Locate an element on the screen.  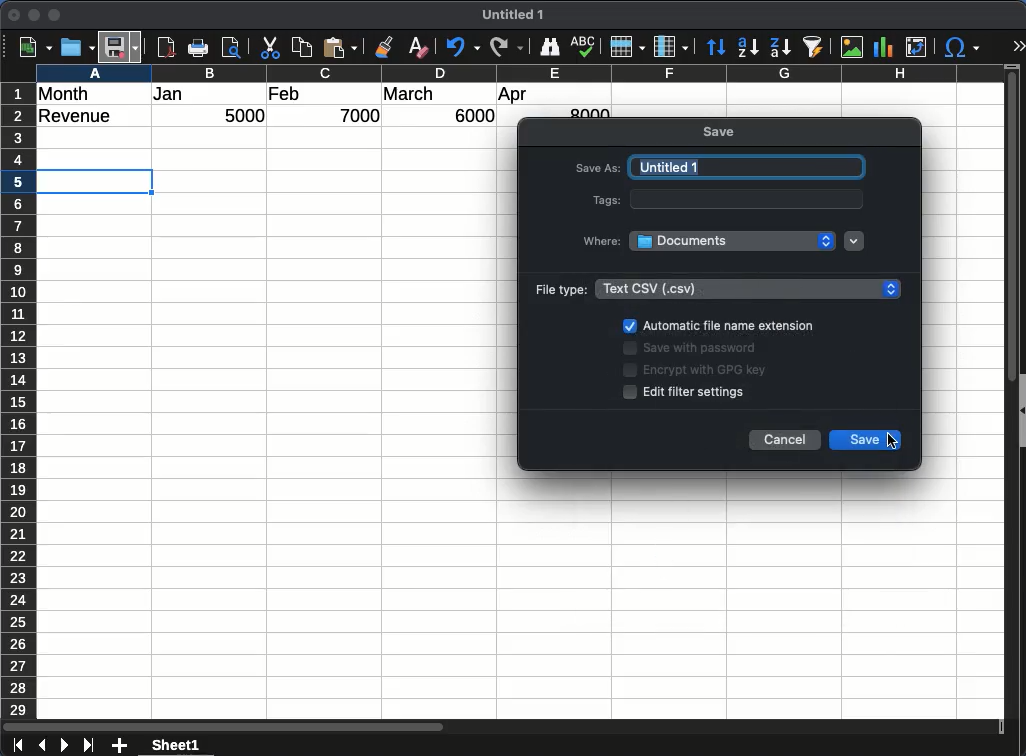
minimize is located at coordinates (35, 15).